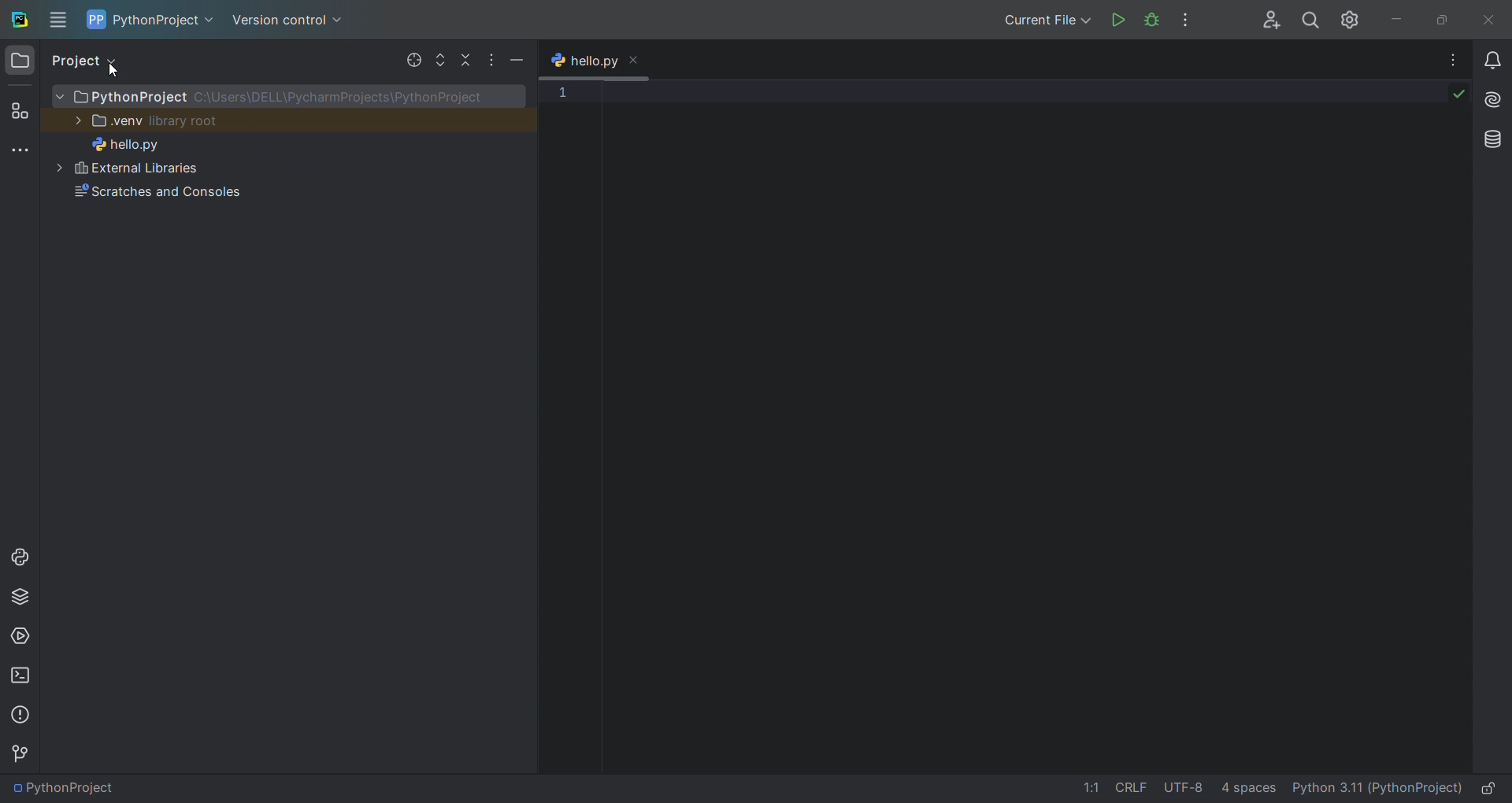 This screenshot has height=803, width=1512. I want to click on open tab, so click(602, 60).